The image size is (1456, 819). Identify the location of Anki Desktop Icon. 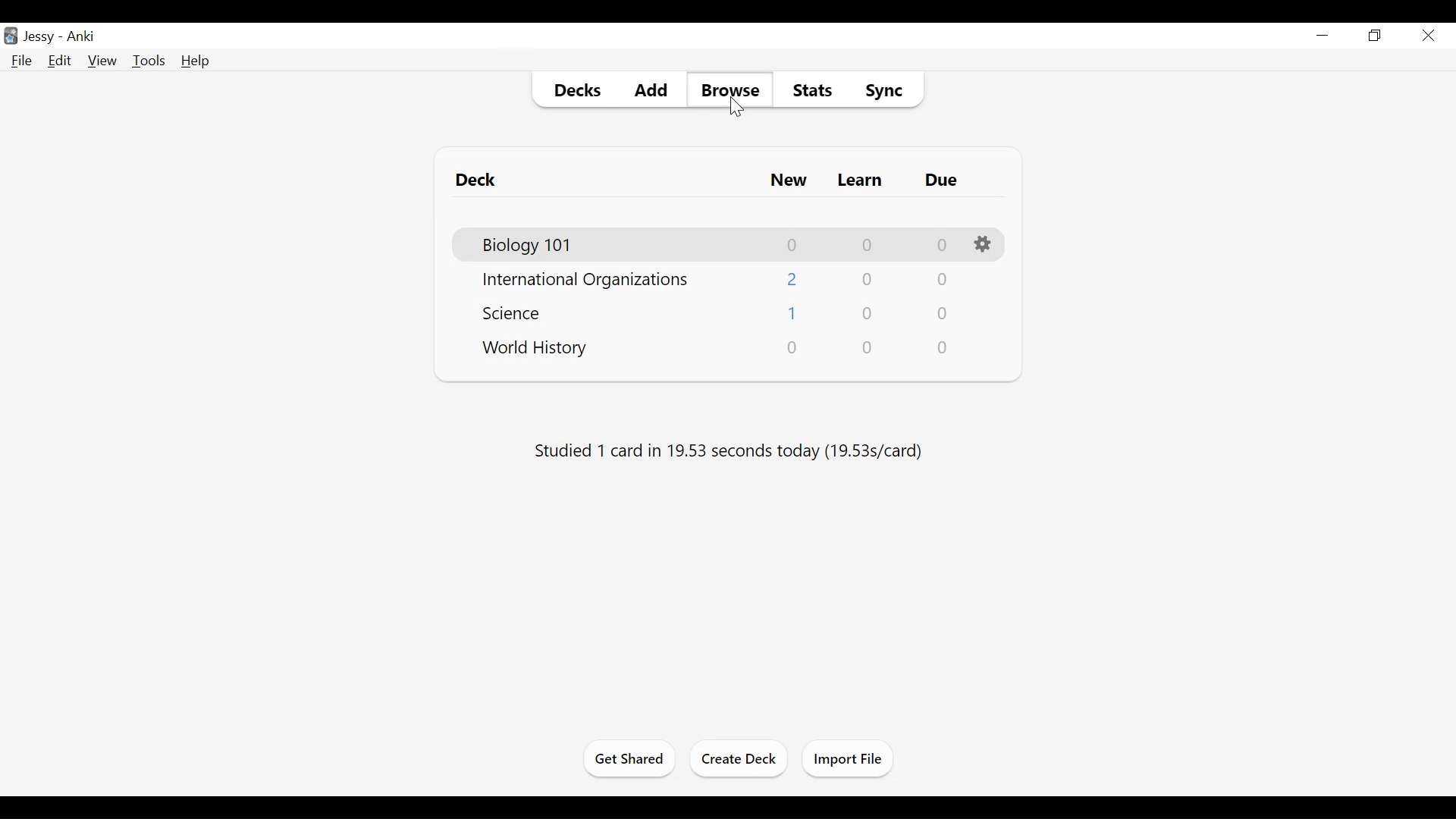
(11, 36).